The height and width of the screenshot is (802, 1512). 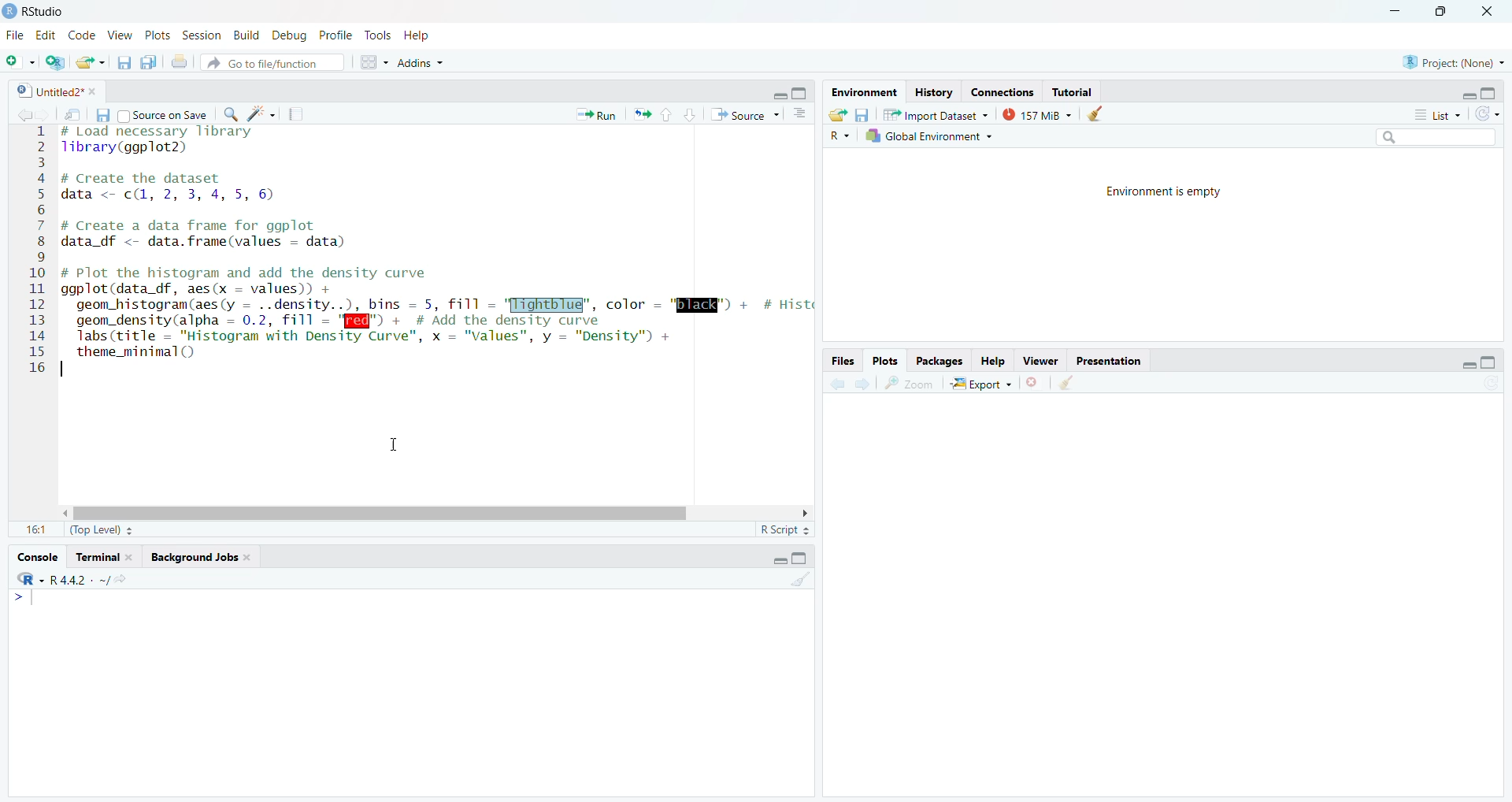 What do you see at coordinates (249, 557) in the screenshot?
I see `close` at bounding box center [249, 557].